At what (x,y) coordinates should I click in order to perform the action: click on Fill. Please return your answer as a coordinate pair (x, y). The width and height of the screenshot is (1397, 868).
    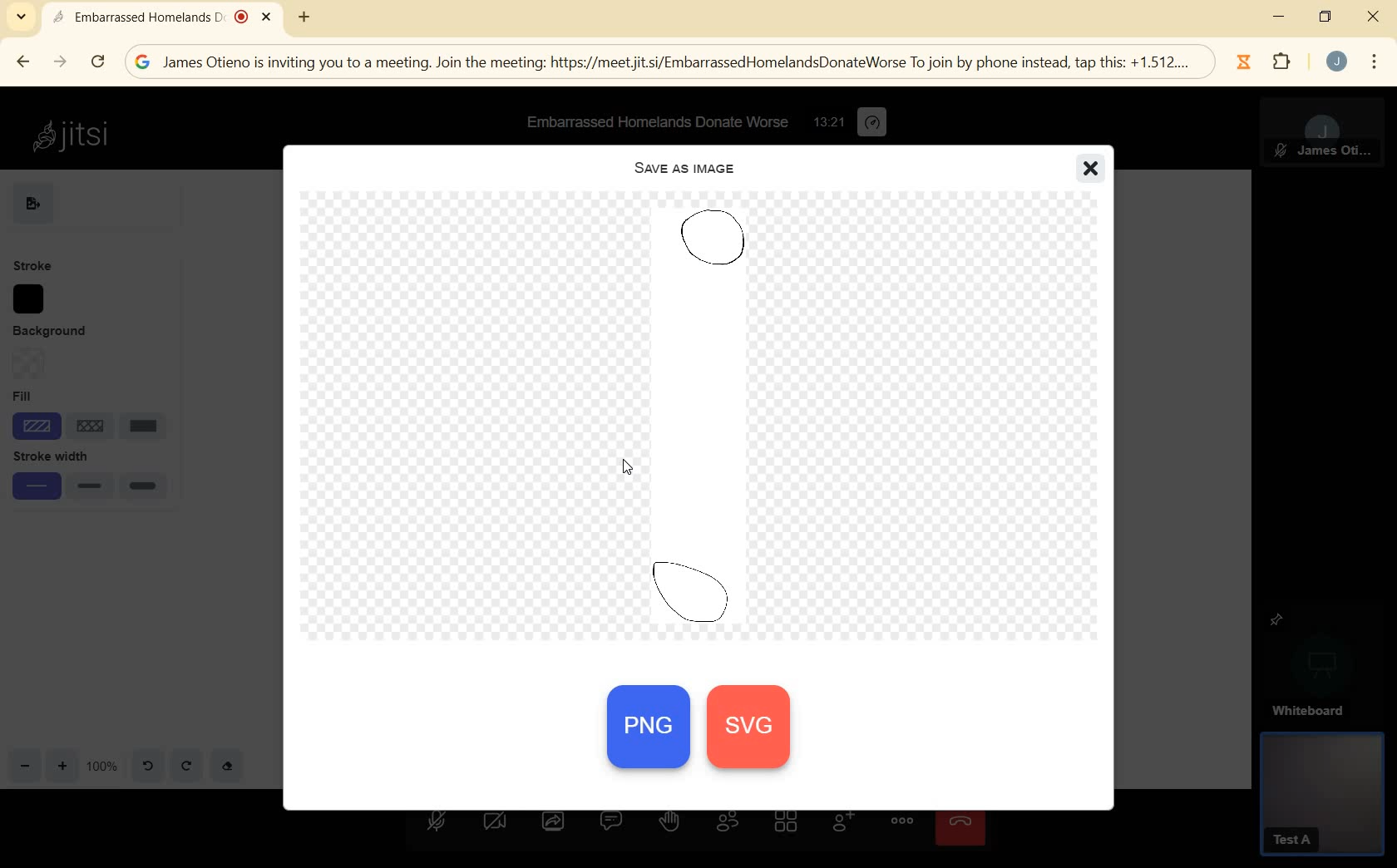
    Looking at the image, I should click on (87, 395).